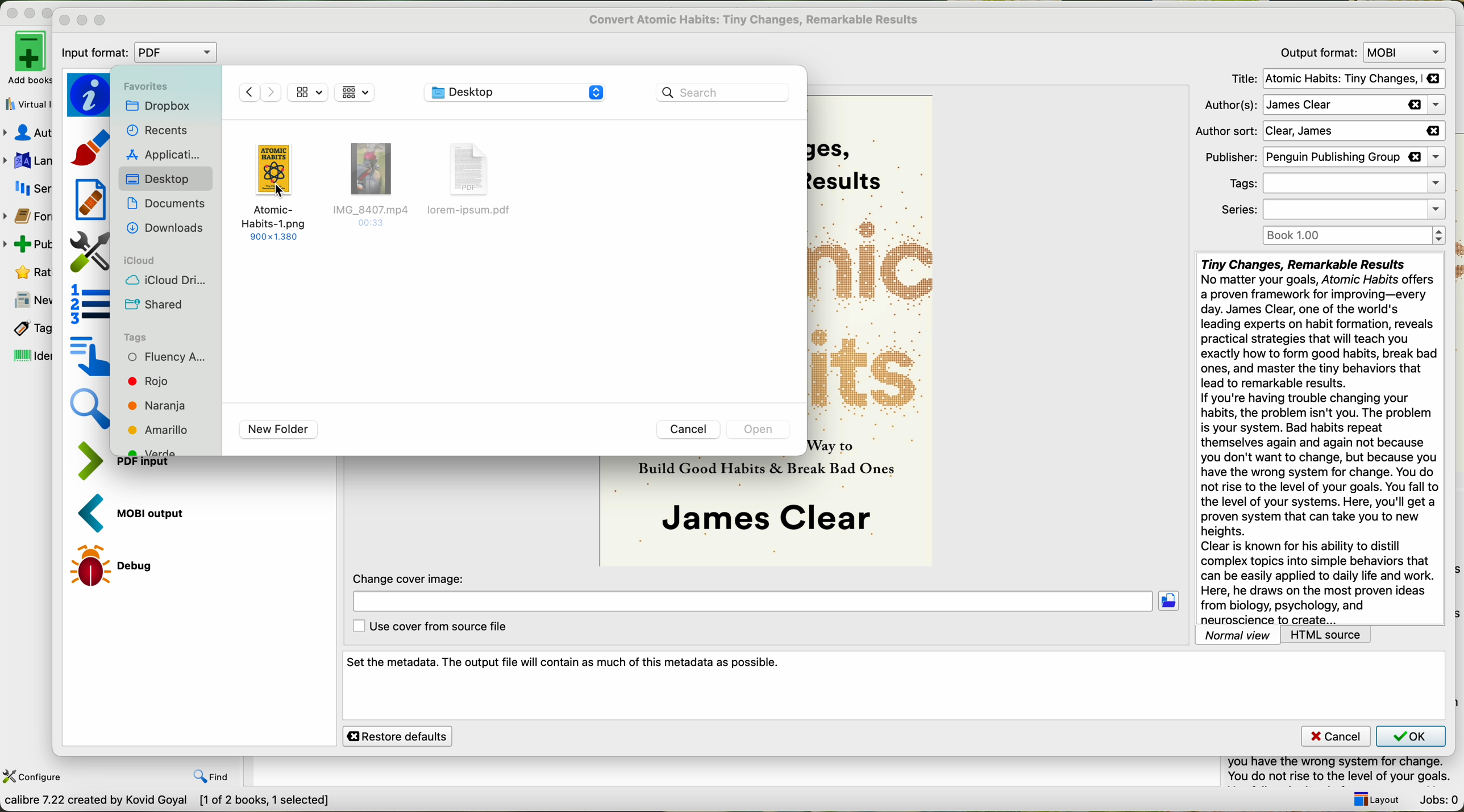 This screenshot has height=812, width=1464. Describe the element at coordinates (29, 328) in the screenshot. I see `tags` at that location.